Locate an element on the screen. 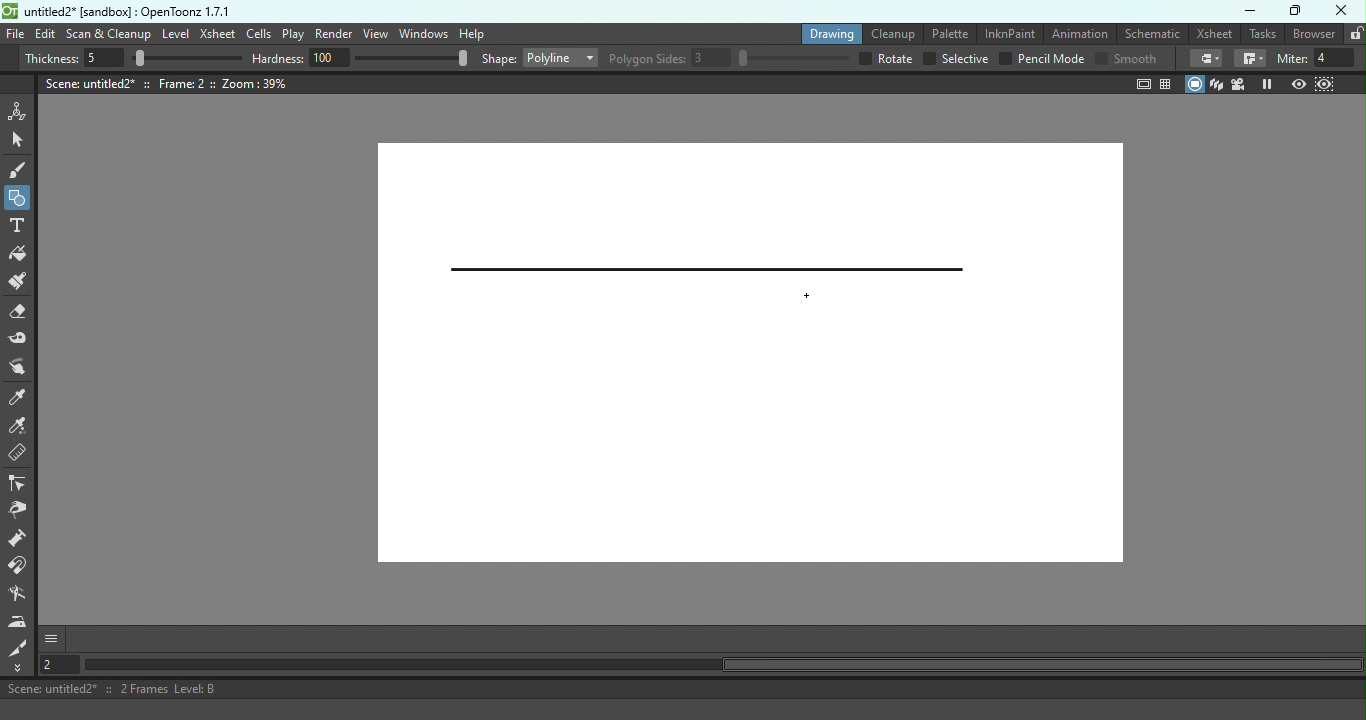 The image size is (1366, 720). Iron tool is located at coordinates (18, 622).